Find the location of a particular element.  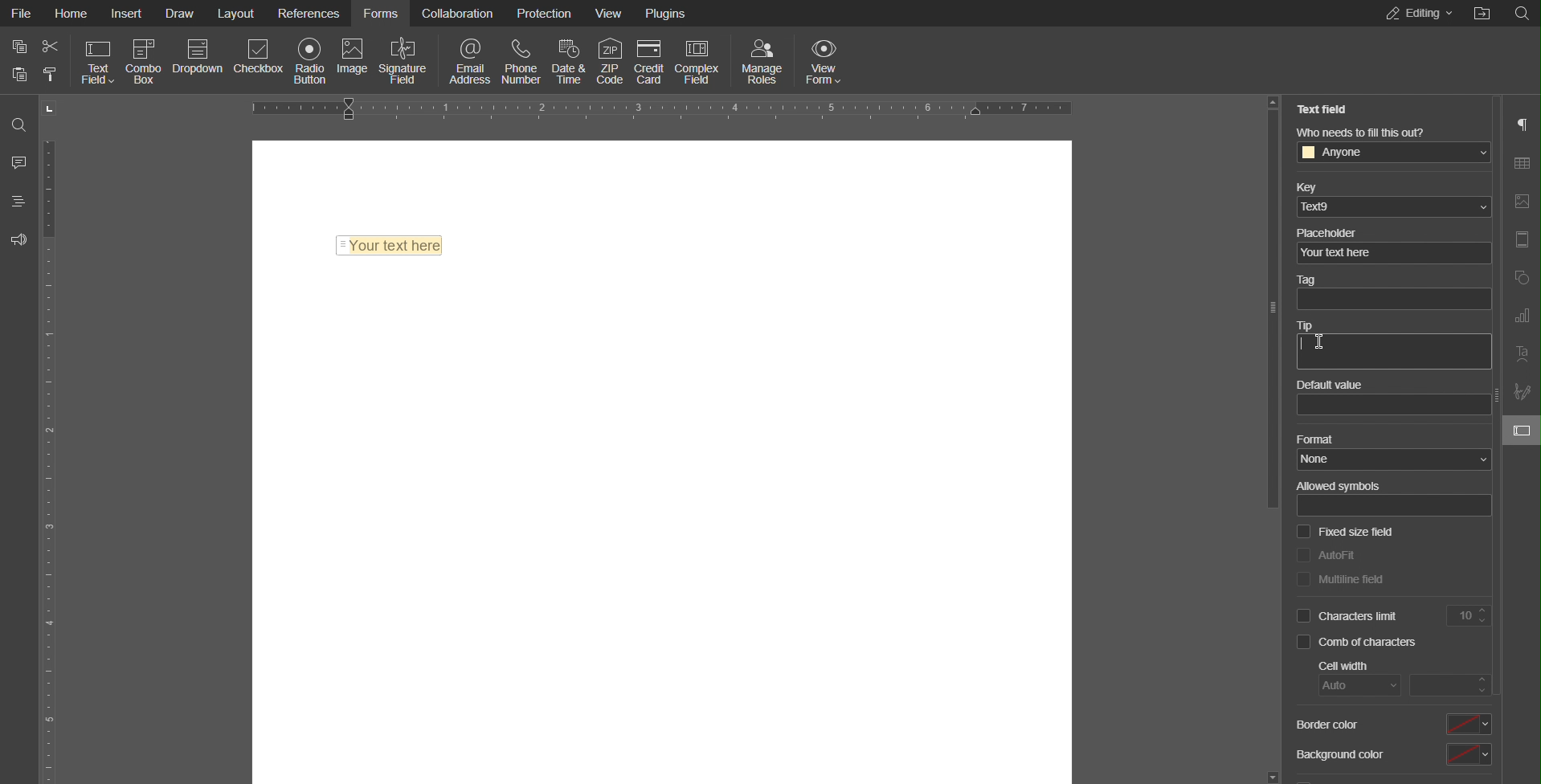

Signature Field is located at coordinates (407, 60).